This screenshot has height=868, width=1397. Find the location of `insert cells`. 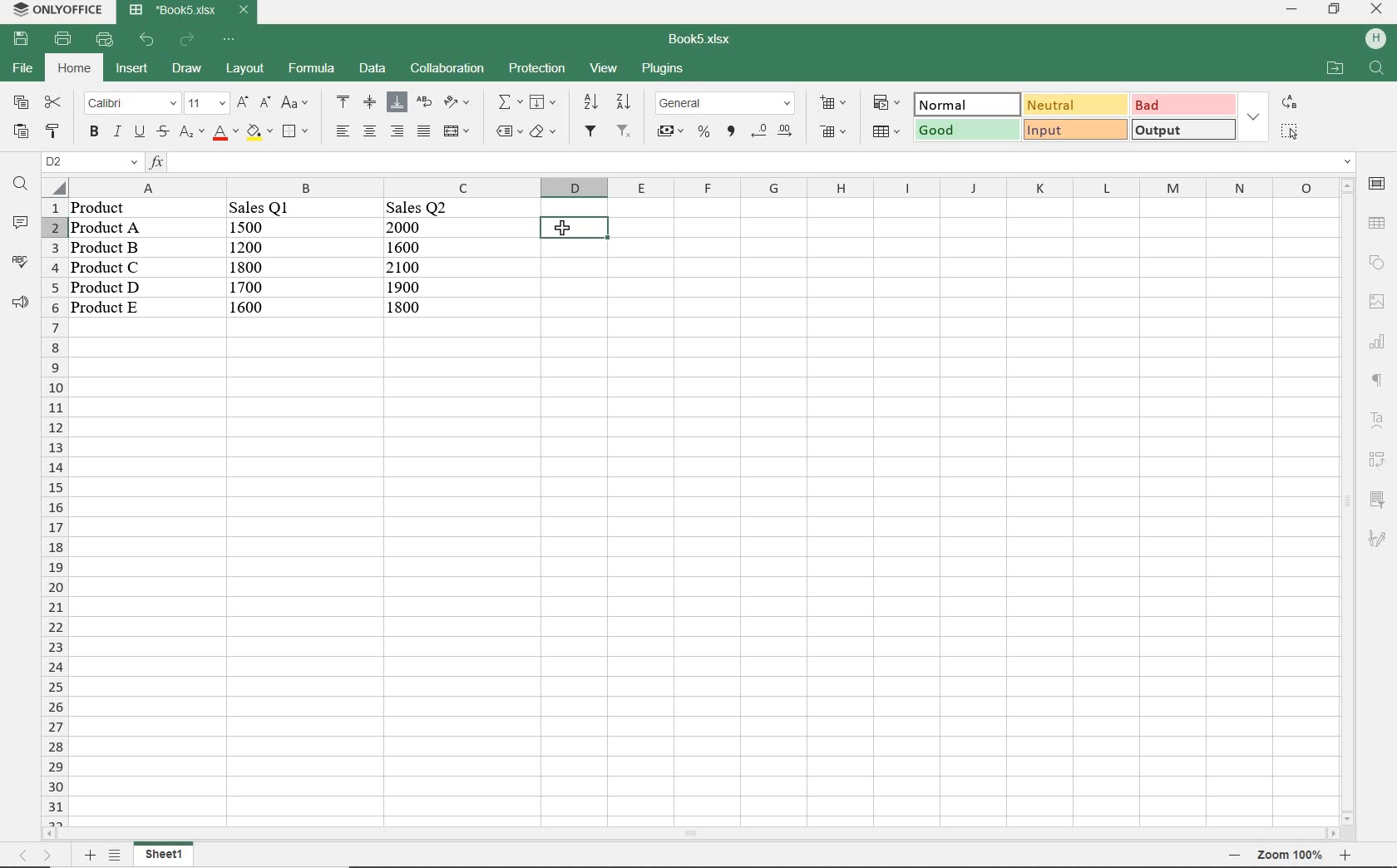

insert cells is located at coordinates (831, 104).